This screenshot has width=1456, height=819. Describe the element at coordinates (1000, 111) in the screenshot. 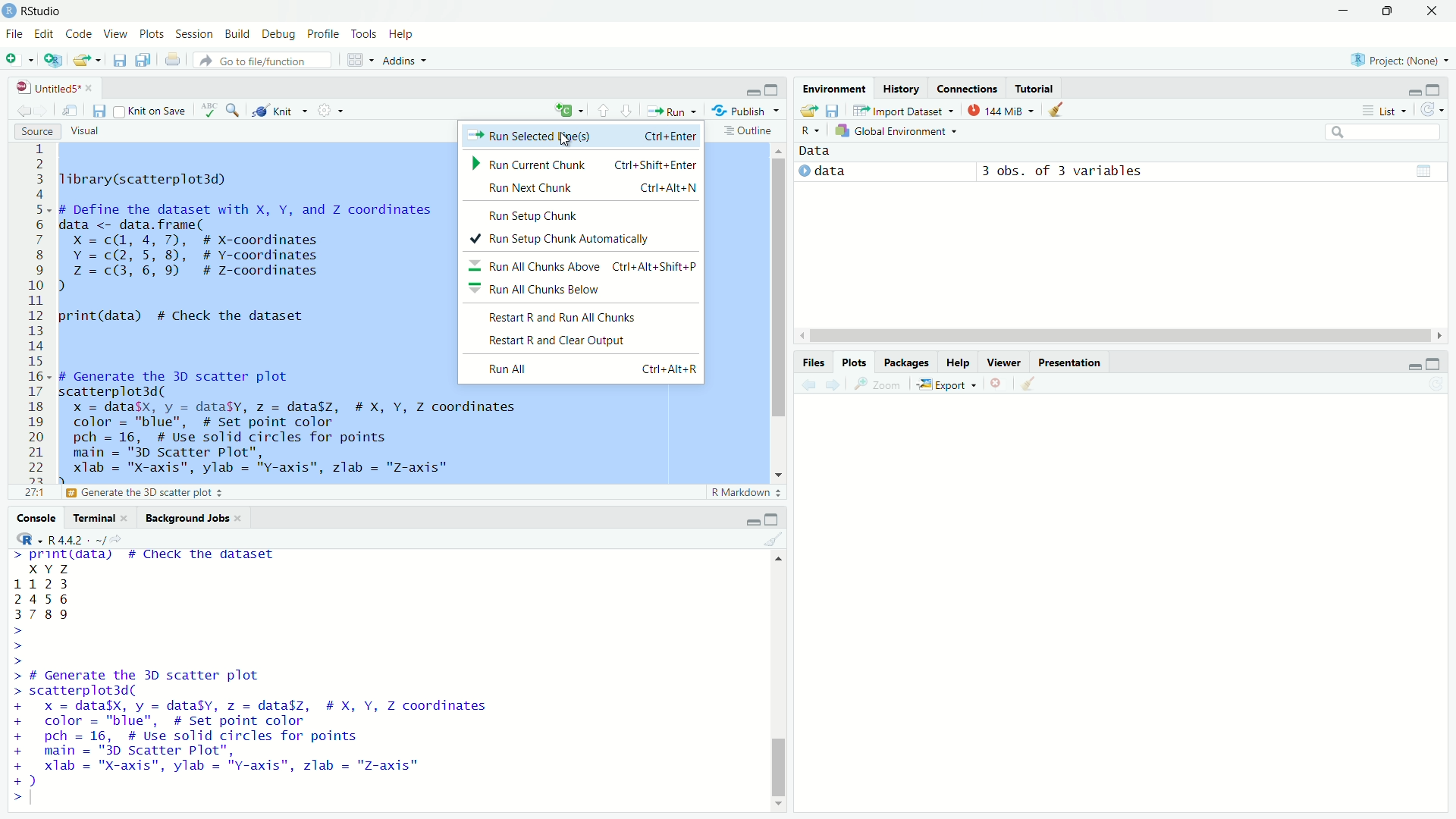

I see `144 MiB` at that location.